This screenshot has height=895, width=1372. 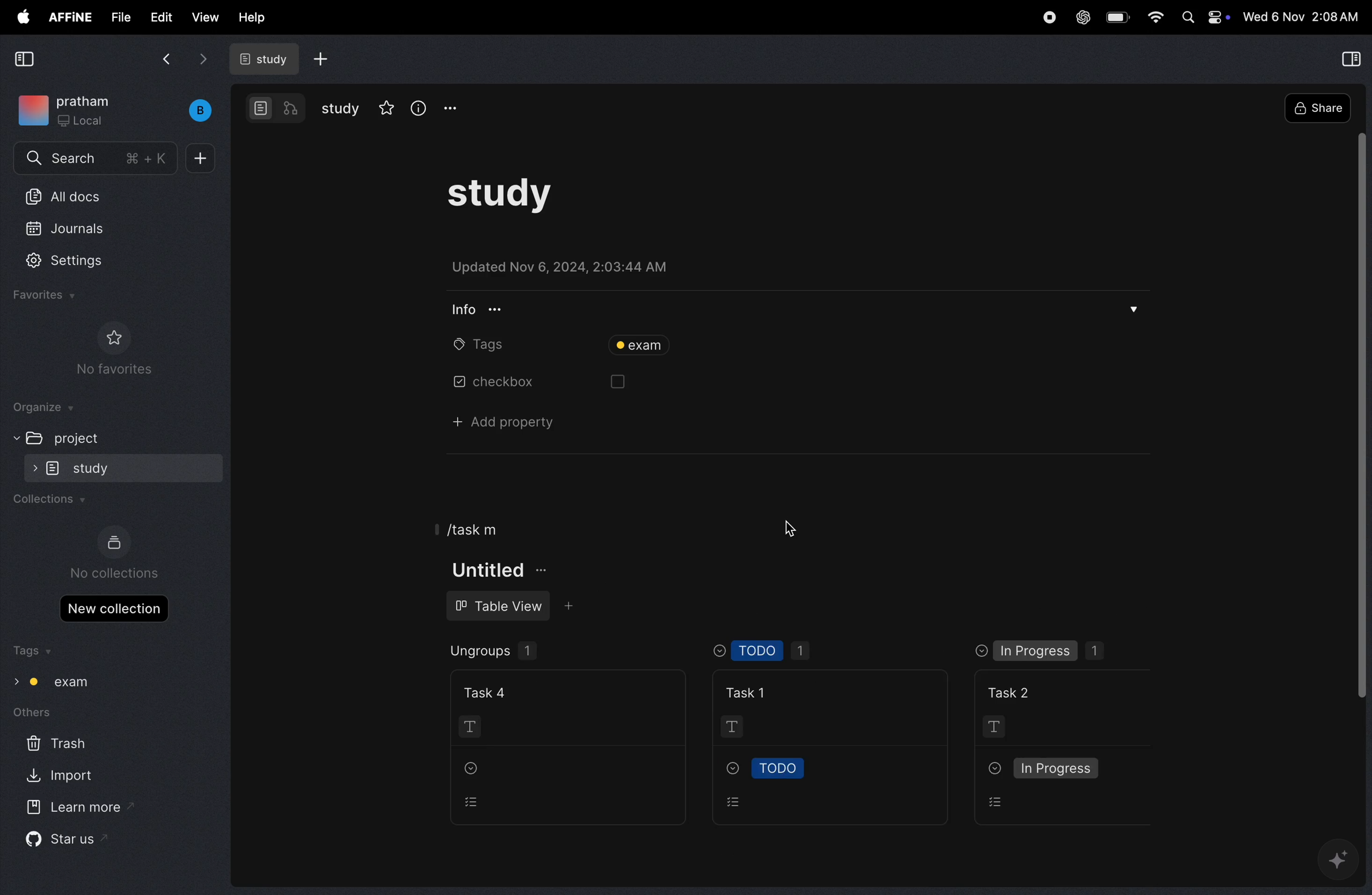 I want to click on T, so click(x=474, y=728).